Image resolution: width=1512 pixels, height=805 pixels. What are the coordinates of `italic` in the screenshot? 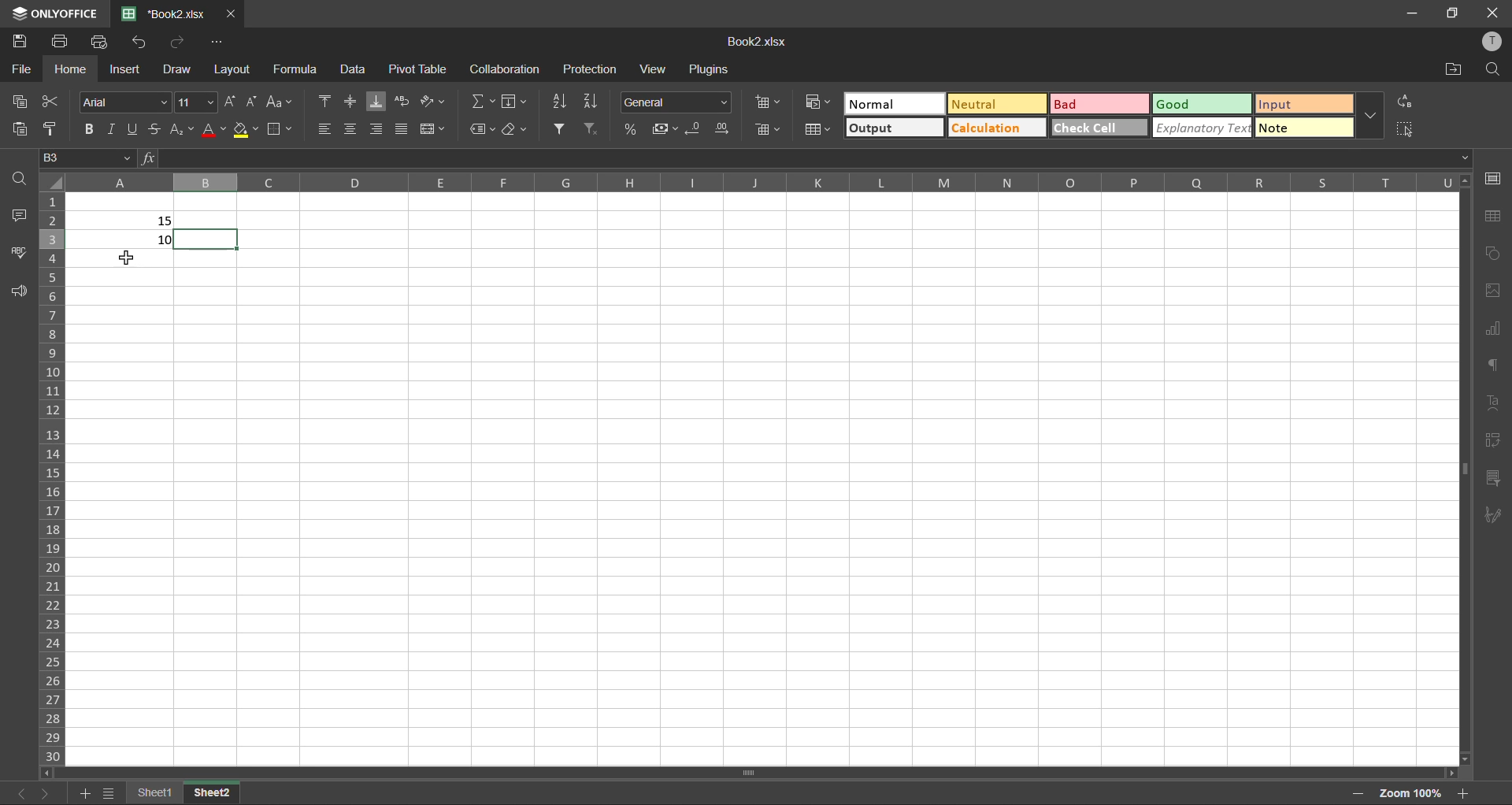 It's located at (113, 127).